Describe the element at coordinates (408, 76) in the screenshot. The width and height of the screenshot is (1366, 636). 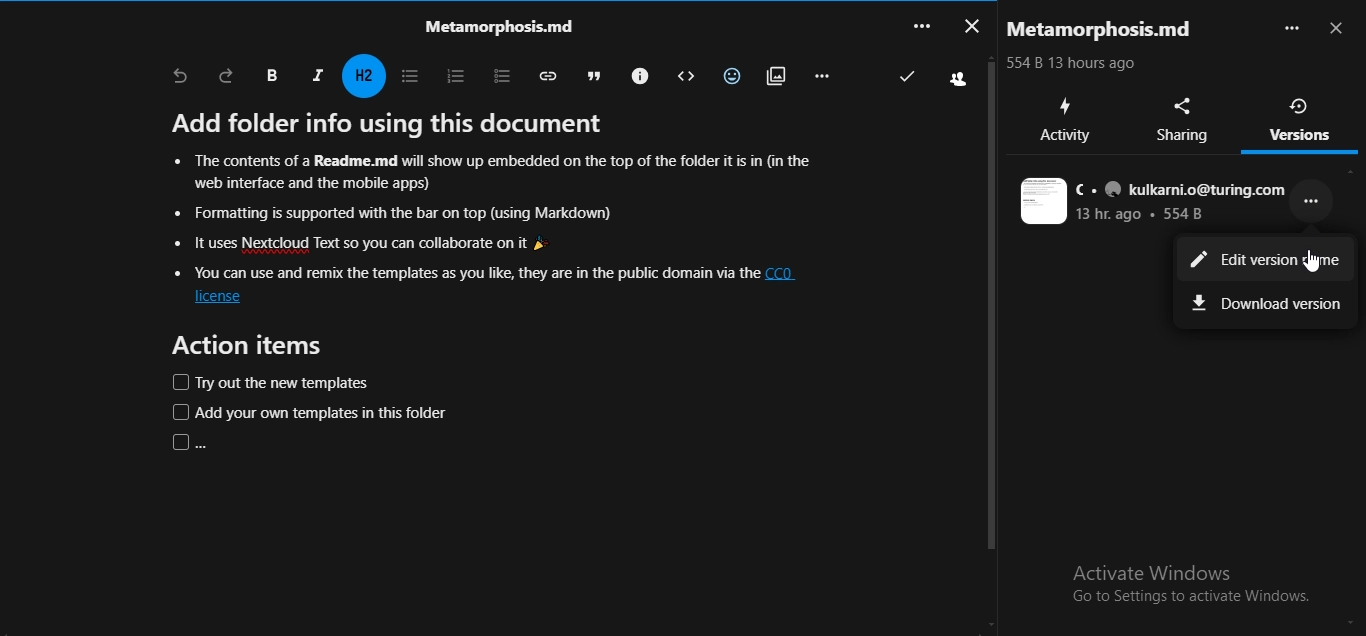
I see `unordered list` at that location.